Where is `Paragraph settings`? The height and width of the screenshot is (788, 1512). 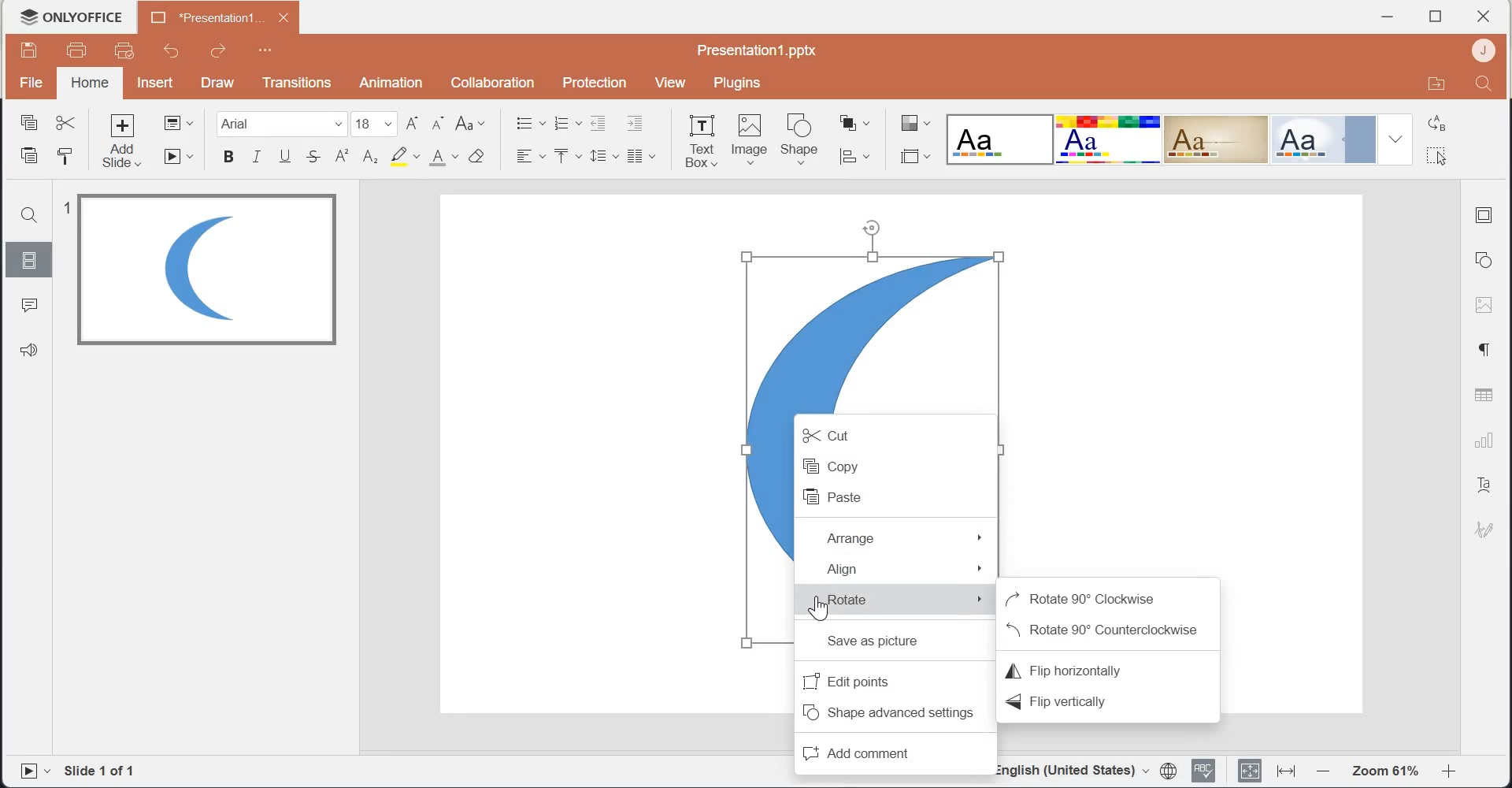
Paragraph settings is located at coordinates (1484, 350).